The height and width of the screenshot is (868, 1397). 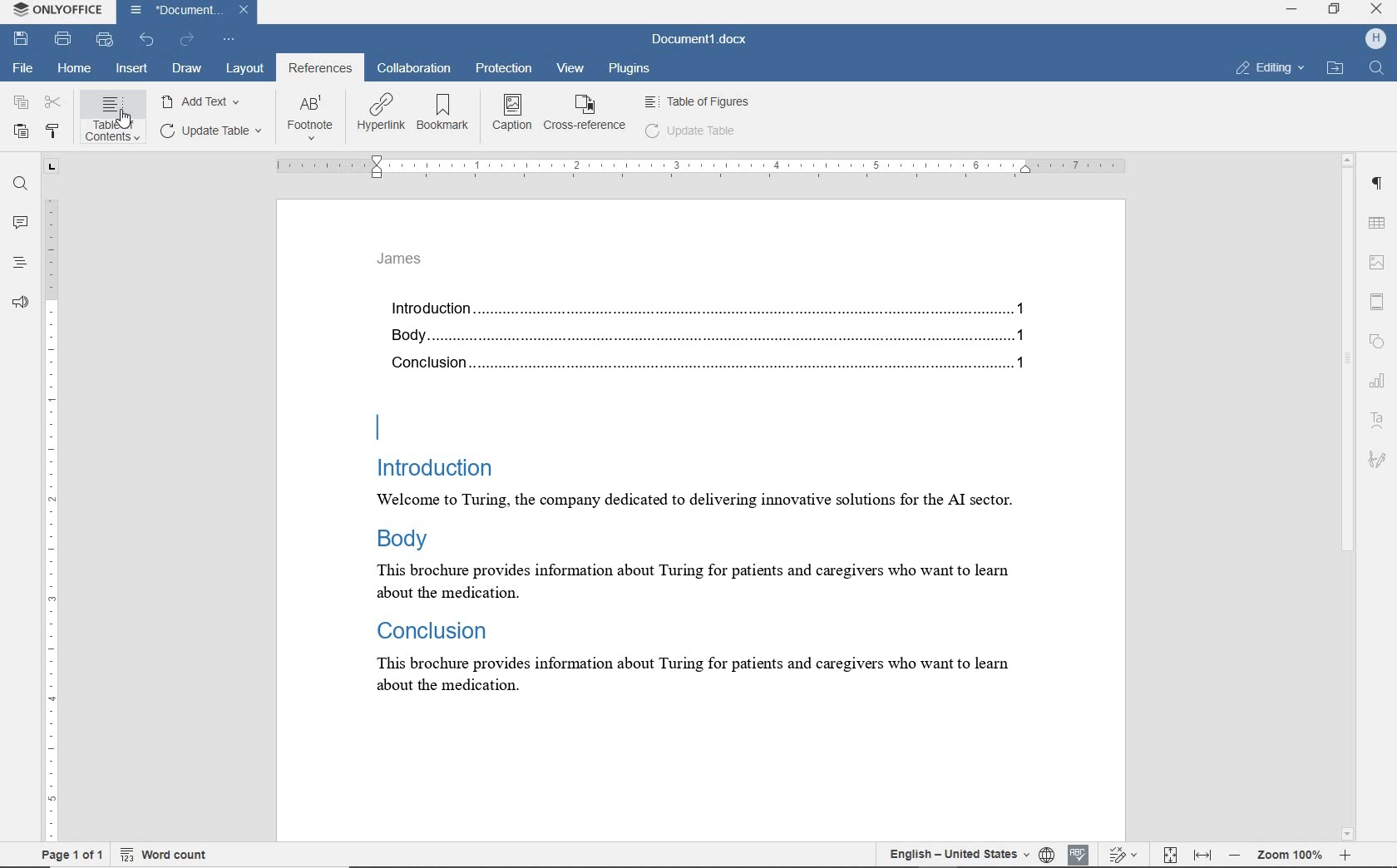 I want to click on headings, so click(x=20, y=262).